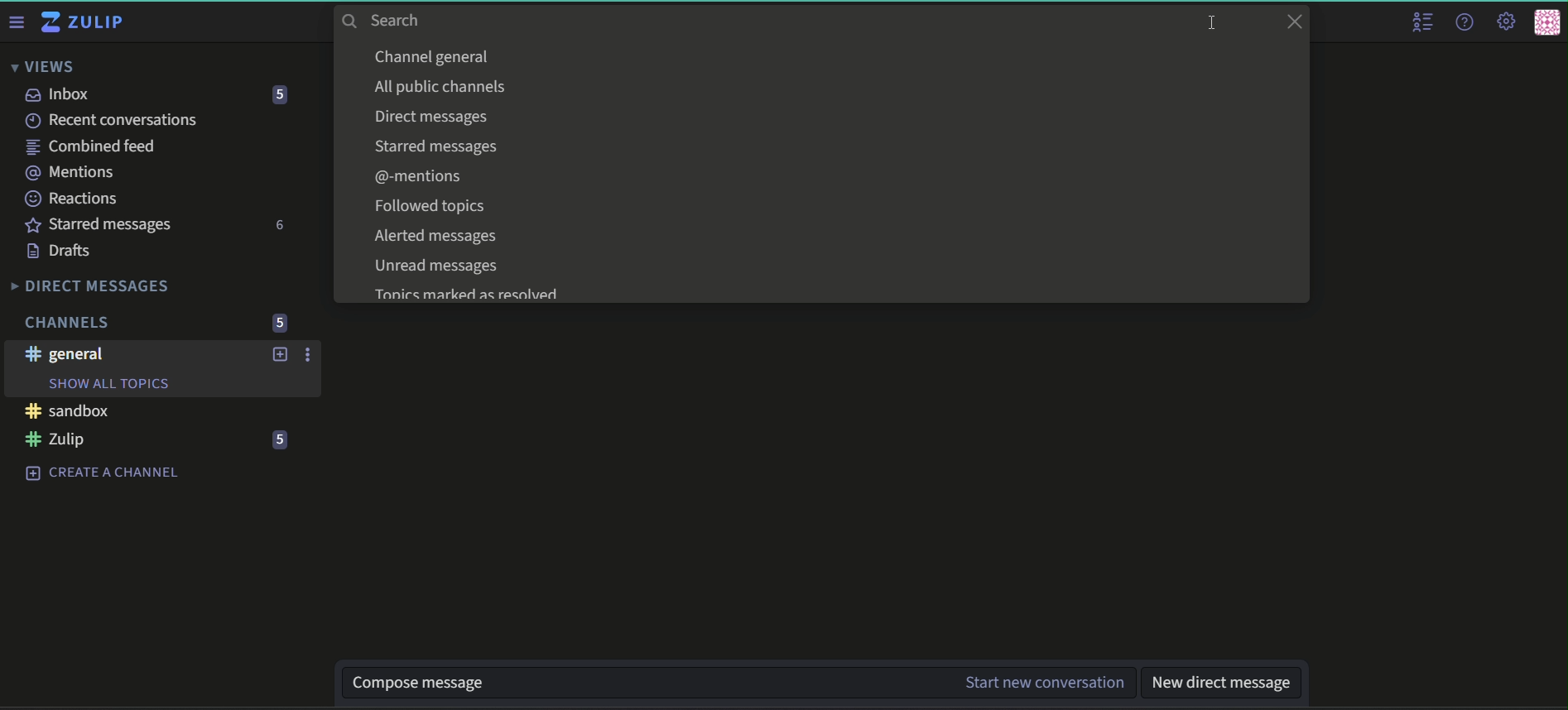 The width and height of the screenshot is (1568, 710). What do you see at coordinates (278, 94) in the screenshot?
I see `number` at bounding box center [278, 94].